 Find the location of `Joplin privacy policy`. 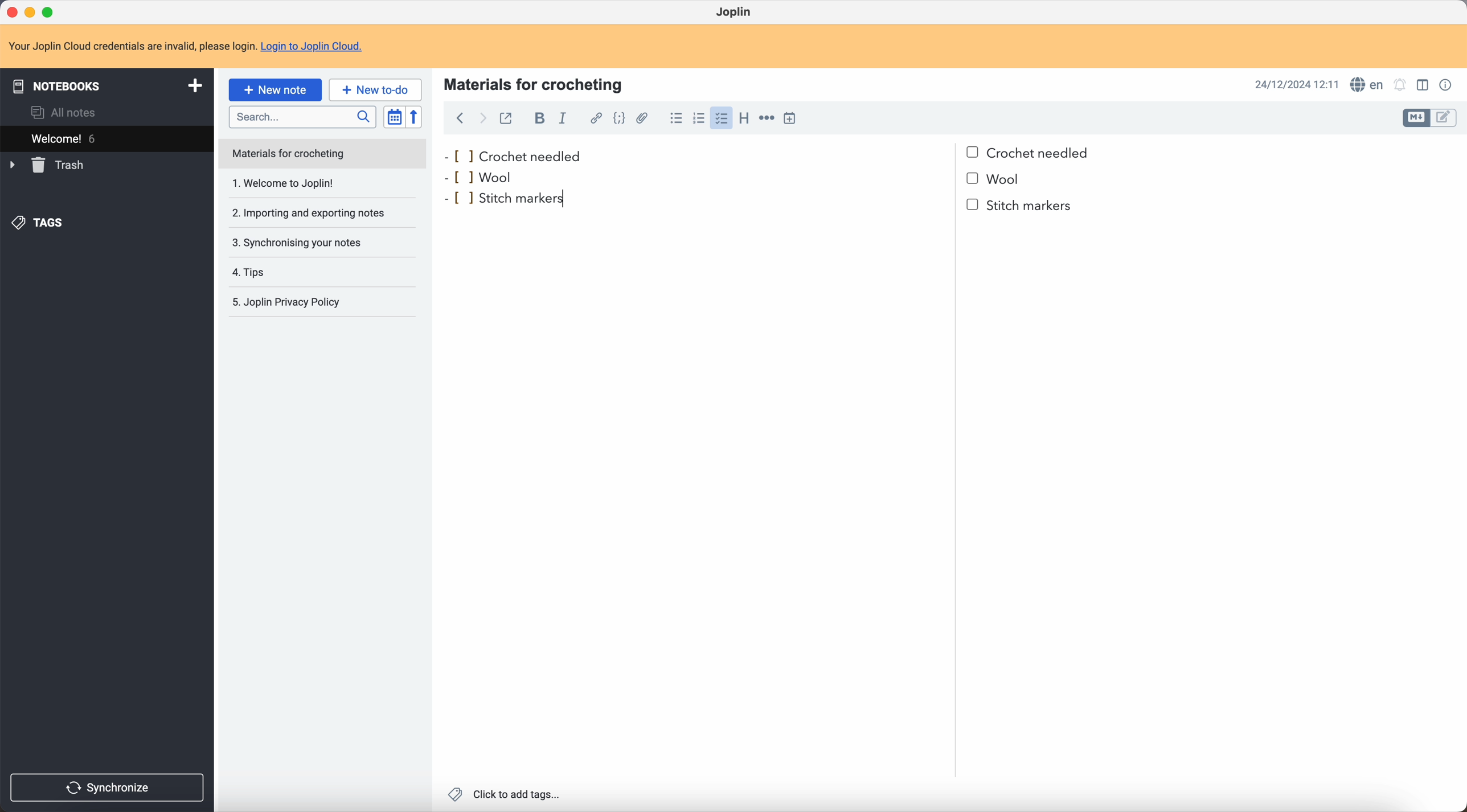

Joplin privacy policy is located at coordinates (293, 304).